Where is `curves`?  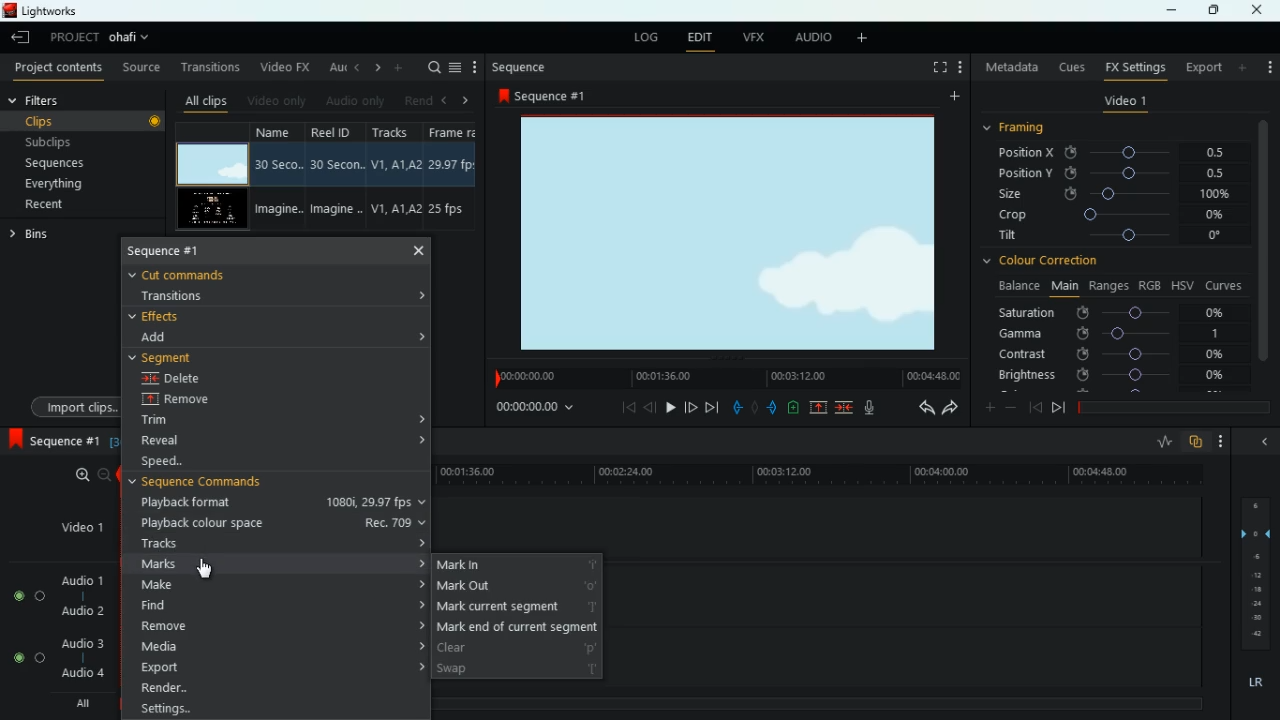 curves is located at coordinates (1224, 285).